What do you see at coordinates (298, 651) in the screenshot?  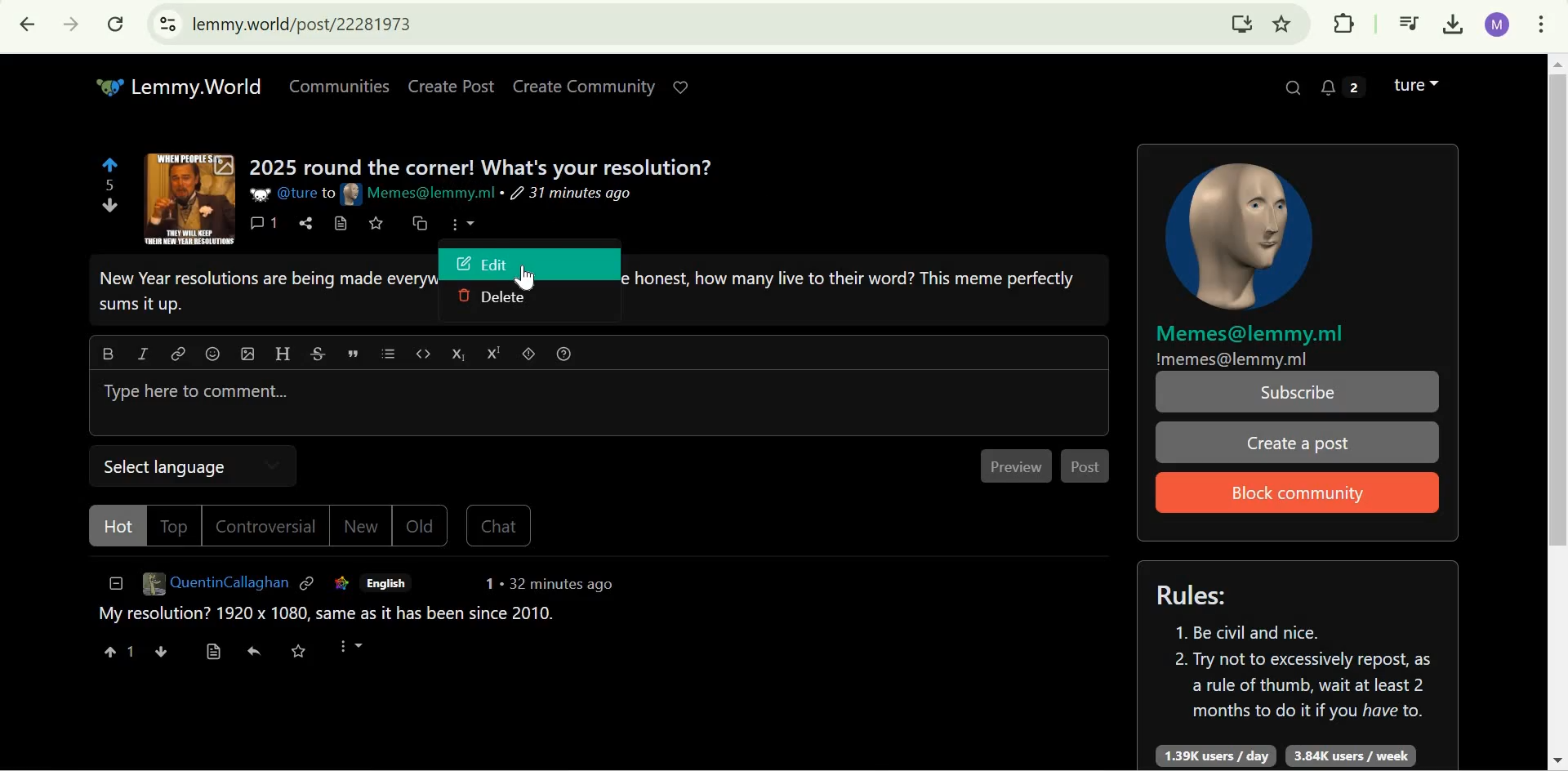 I see `save` at bounding box center [298, 651].